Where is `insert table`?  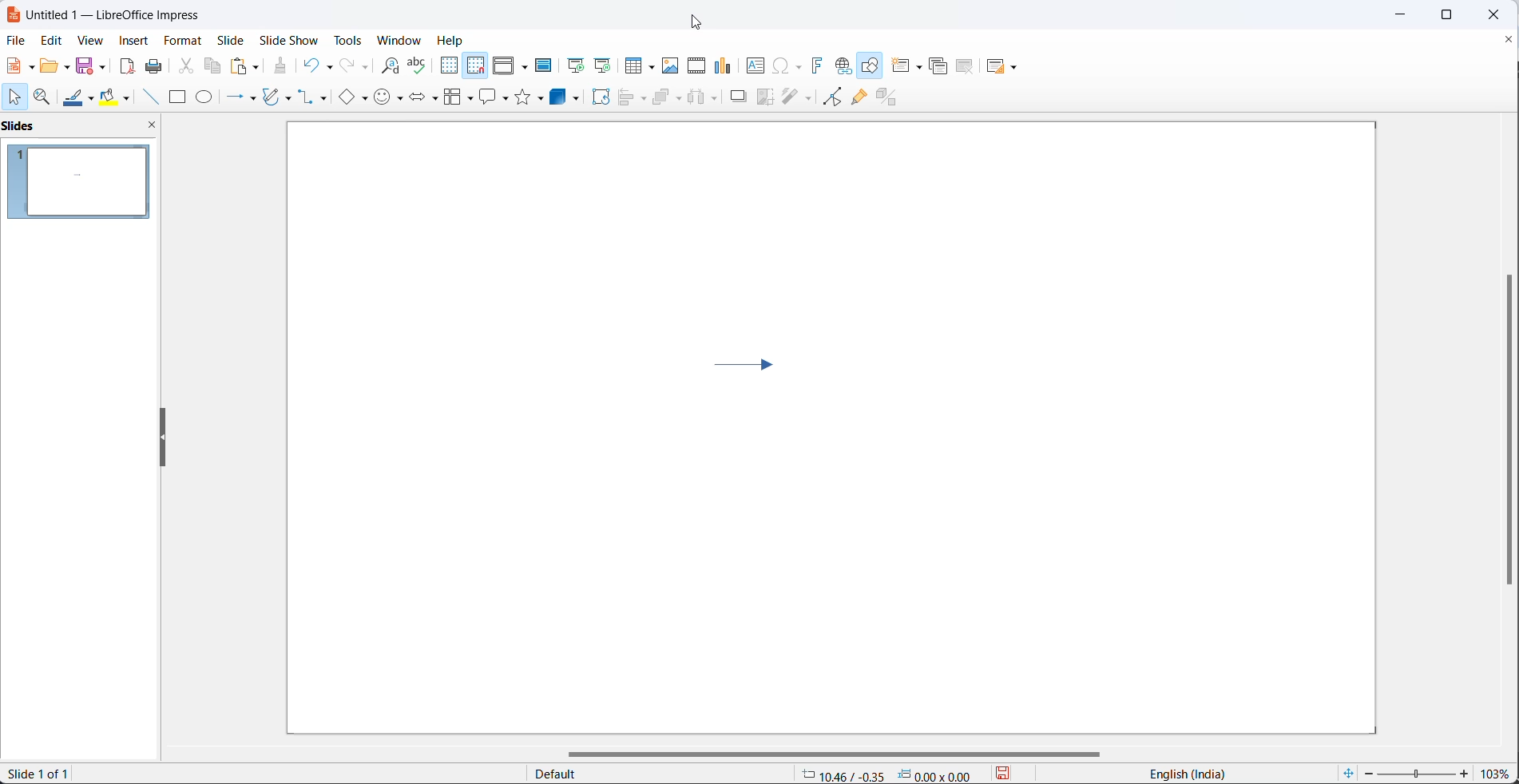 insert table is located at coordinates (637, 65).